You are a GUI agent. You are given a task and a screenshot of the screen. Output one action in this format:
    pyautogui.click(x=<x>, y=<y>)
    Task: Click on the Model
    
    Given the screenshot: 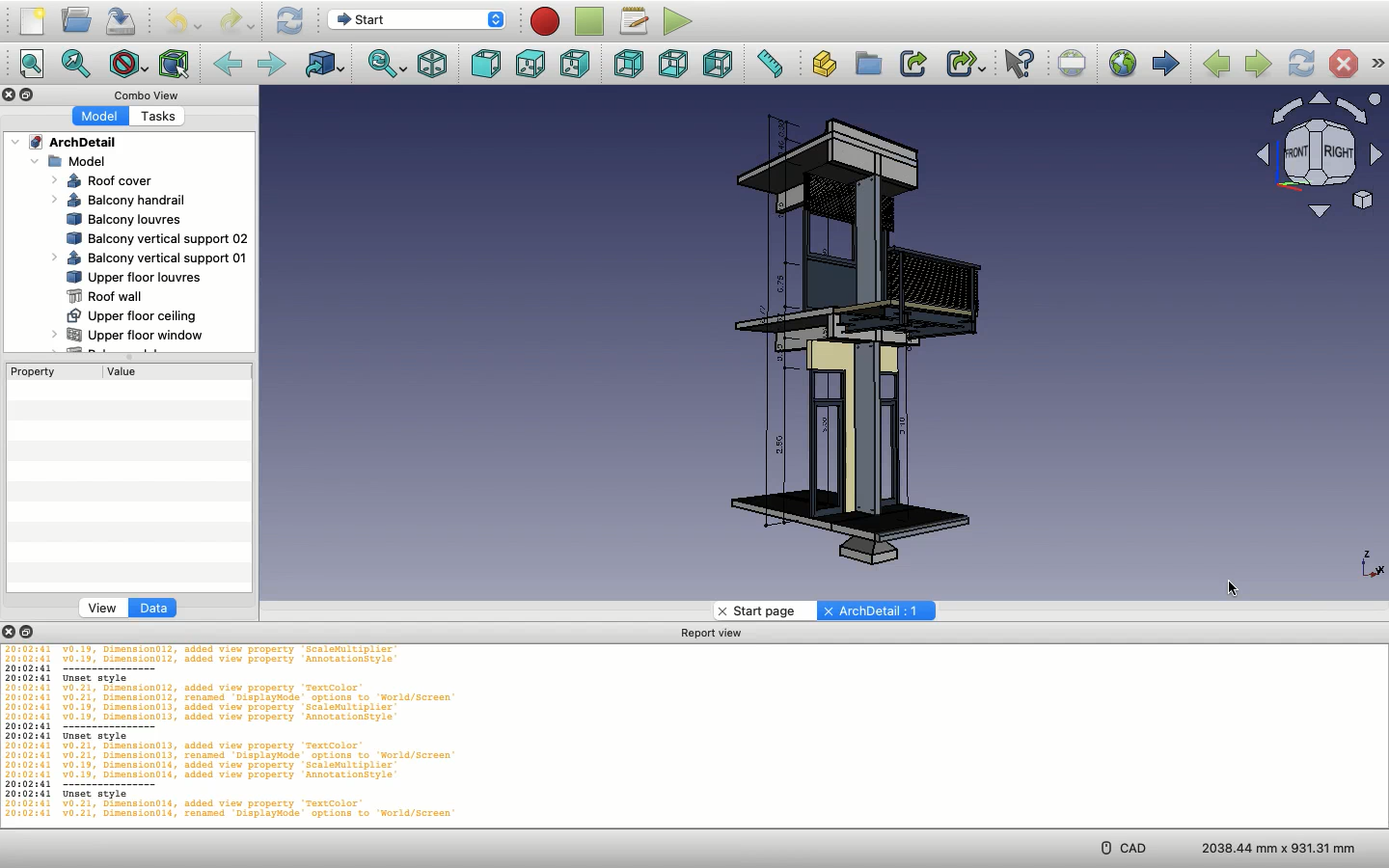 What is the action you would take?
    pyautogui.click(x=71, y=162)
    